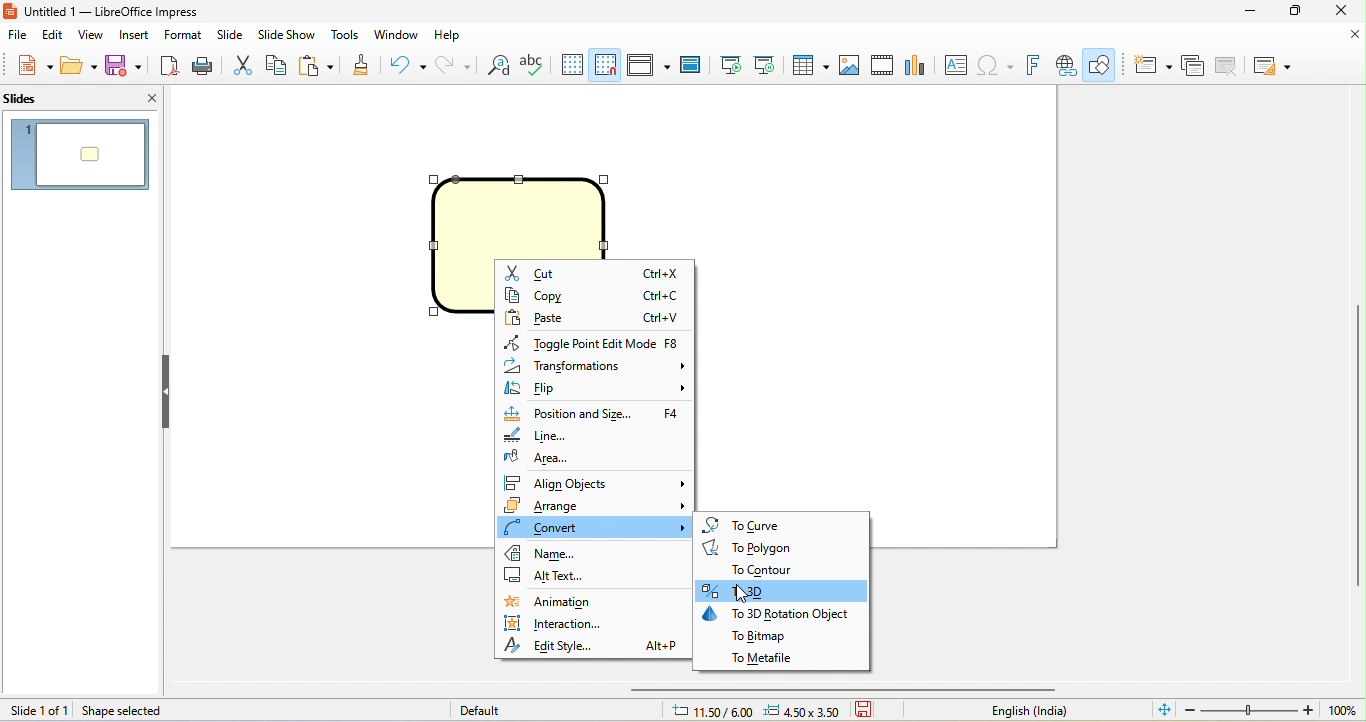  I want to click on paste, so click(319, 66).